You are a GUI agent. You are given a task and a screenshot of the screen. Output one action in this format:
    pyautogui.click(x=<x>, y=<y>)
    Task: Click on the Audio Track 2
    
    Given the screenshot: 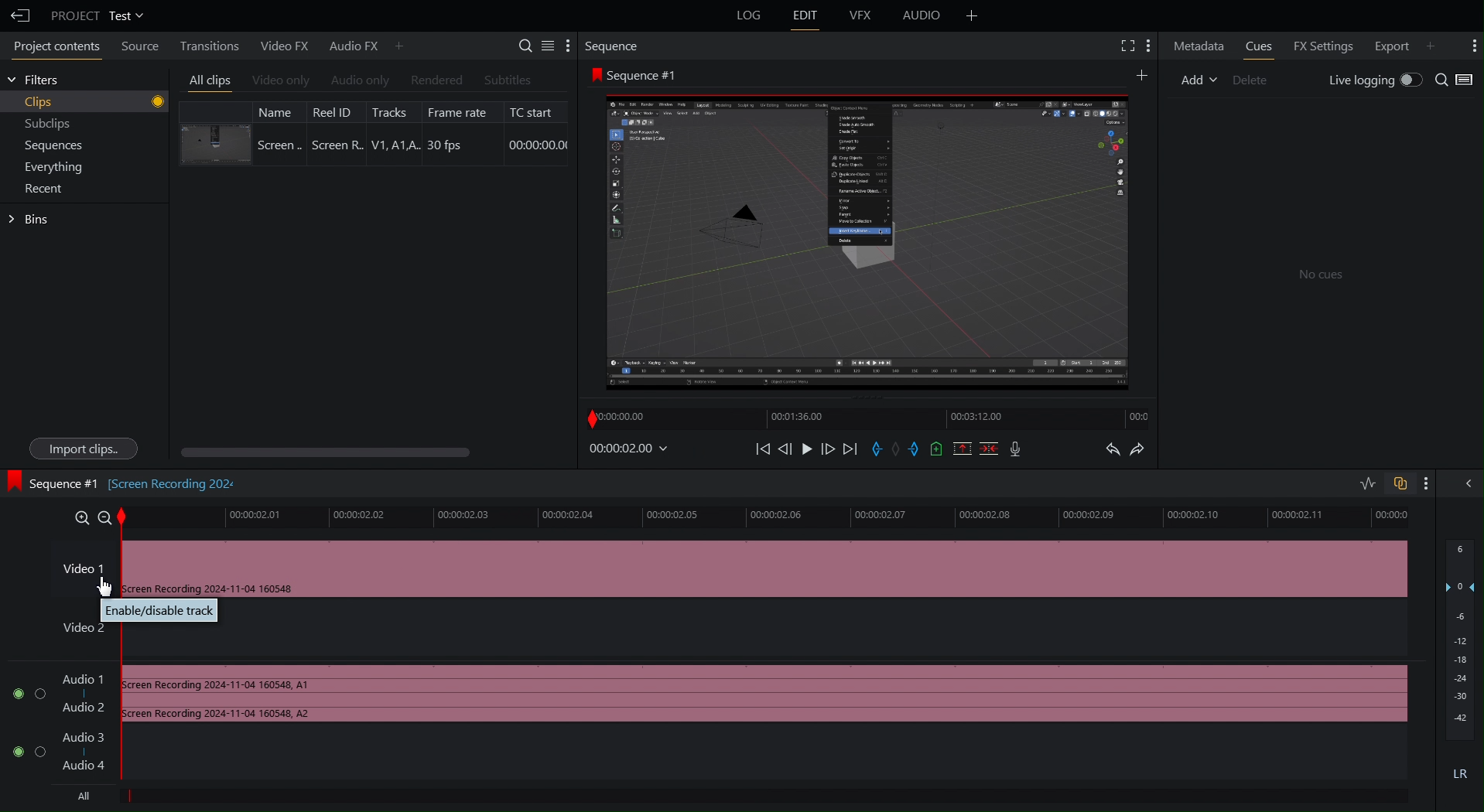 What is the action you would take?
    pyautogui.click(x=69, y=755)
    